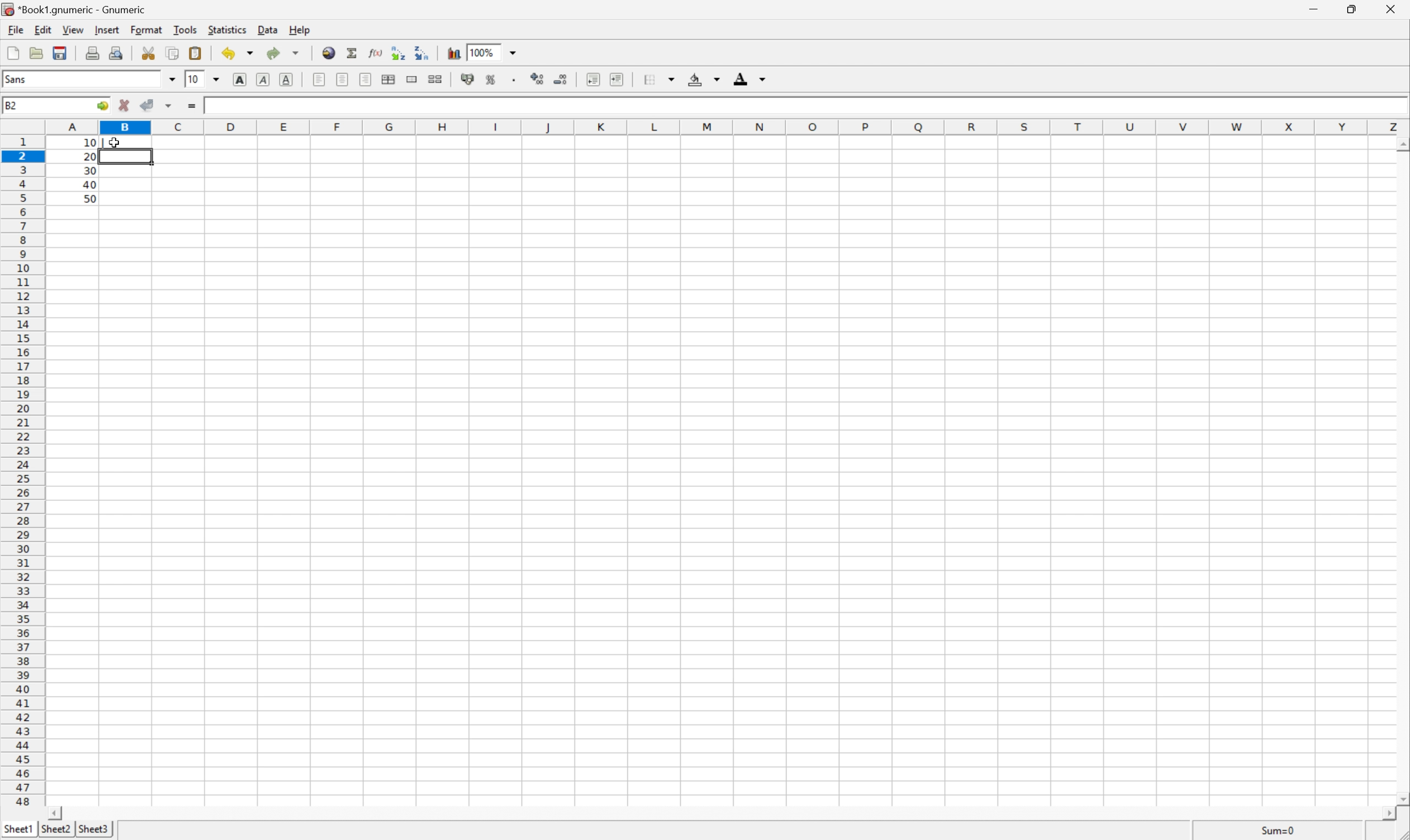 The width and height of the screenshot is (1410, 840). Describe the element at coordinates (91, 170) in the screenshot. I see `30` at that location.